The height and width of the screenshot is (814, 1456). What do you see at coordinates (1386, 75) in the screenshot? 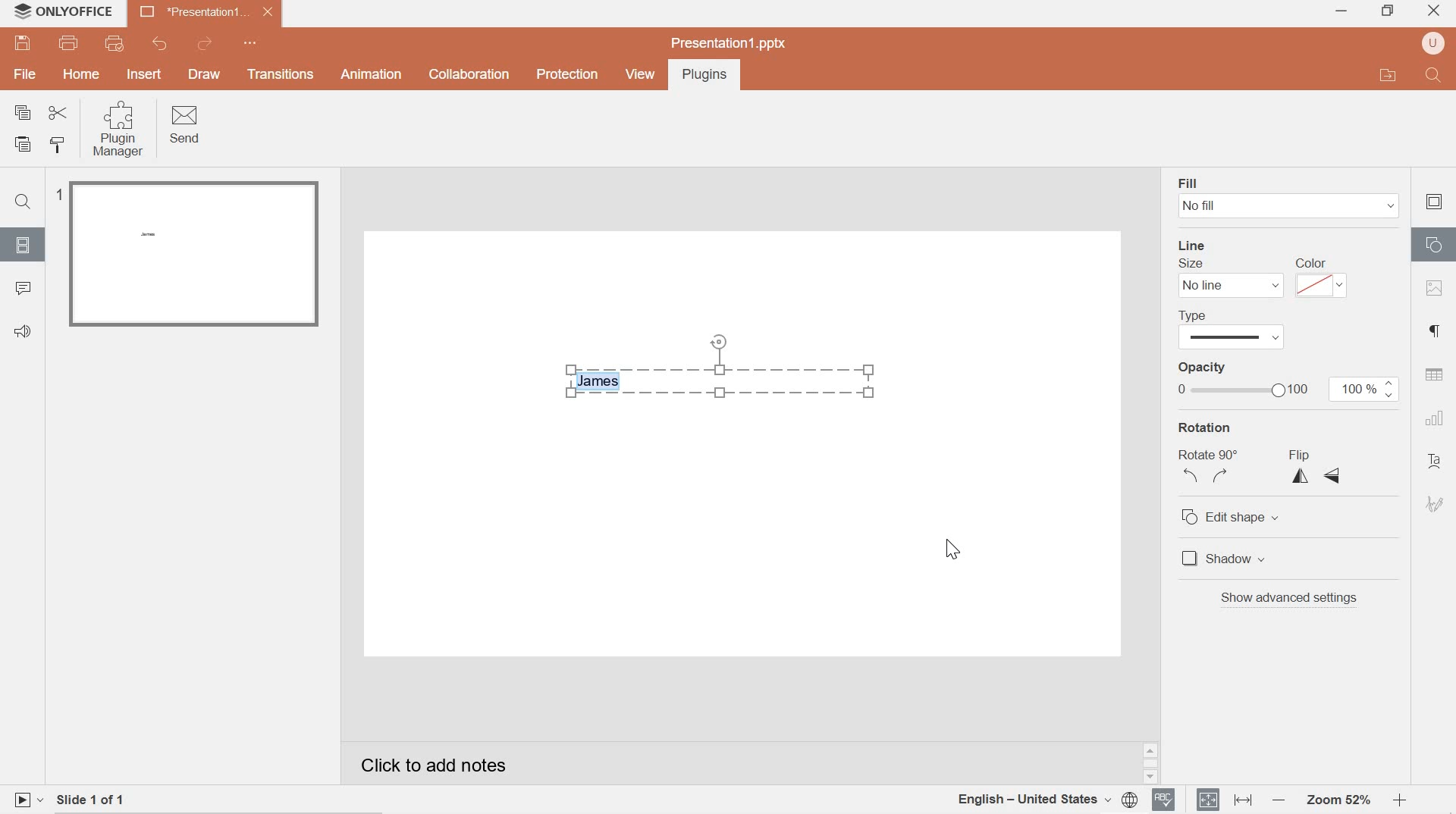
I see `open file application` at bounding box center [1386, 75].